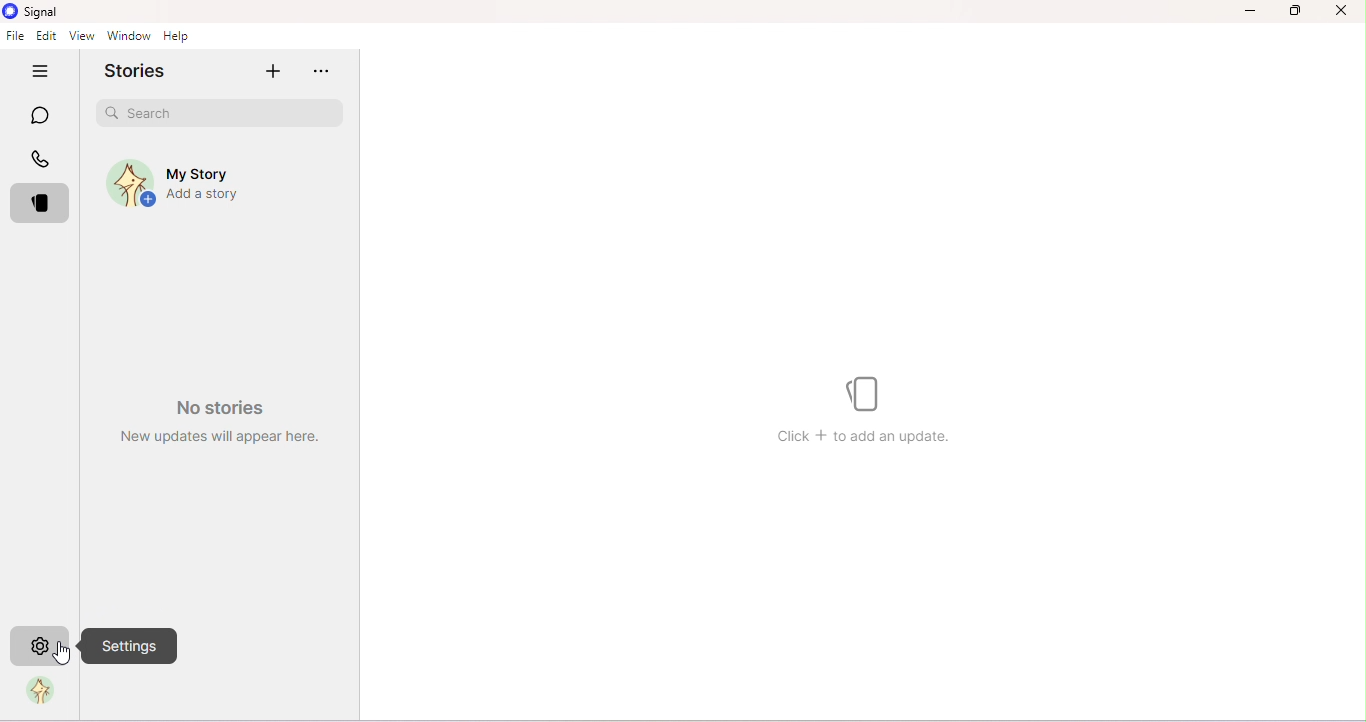 This screenshot has width=1366, height=722. I want to click on Stories, so click(40, 208).